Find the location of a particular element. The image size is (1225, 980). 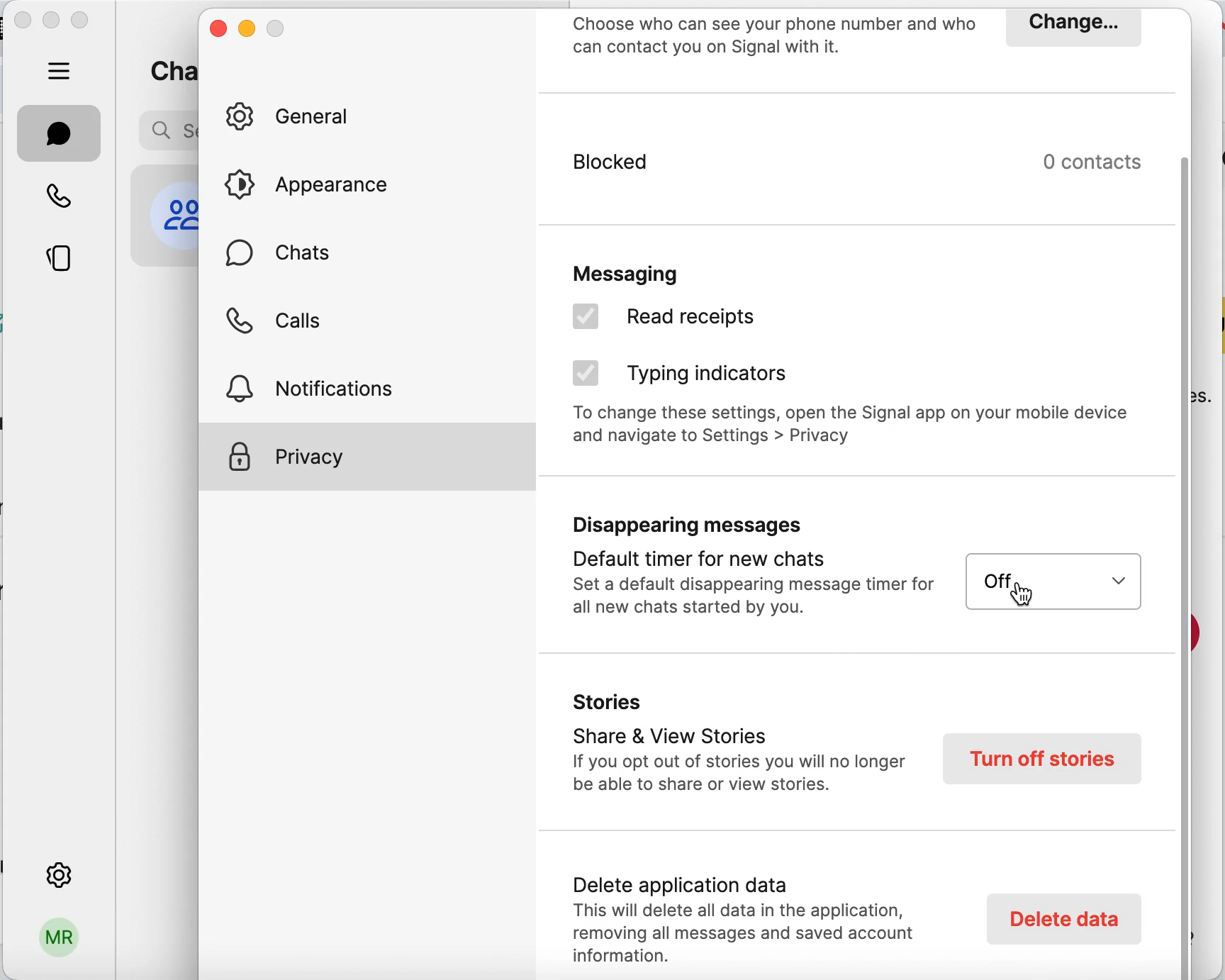

vertical scrollbar is located at coordinates (1190, 565).